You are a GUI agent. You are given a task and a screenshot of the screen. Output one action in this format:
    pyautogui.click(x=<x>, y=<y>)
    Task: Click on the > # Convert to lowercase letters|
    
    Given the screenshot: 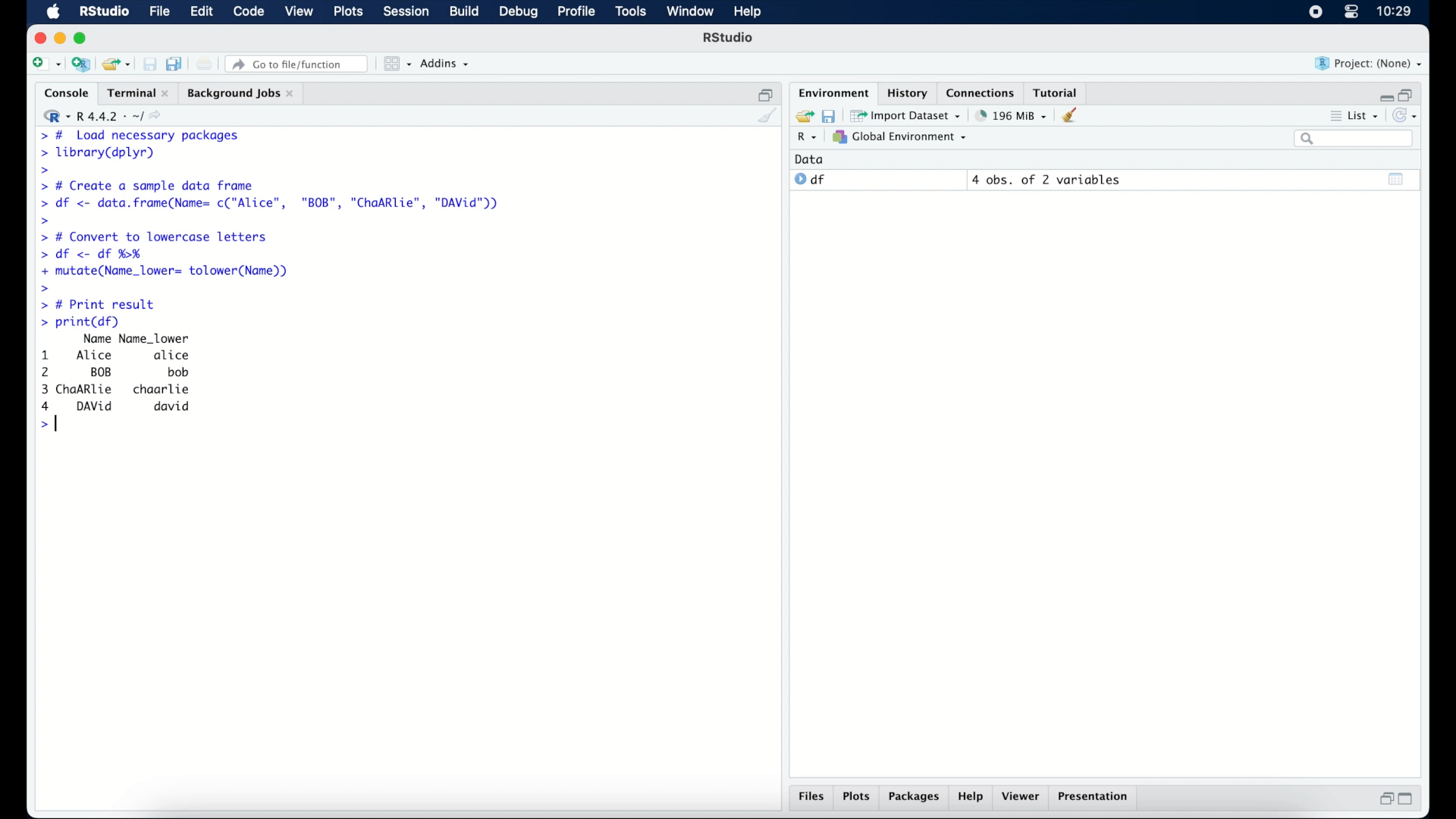 What is the action you would take?
    pyautogui.click(x=155, y=237)
    